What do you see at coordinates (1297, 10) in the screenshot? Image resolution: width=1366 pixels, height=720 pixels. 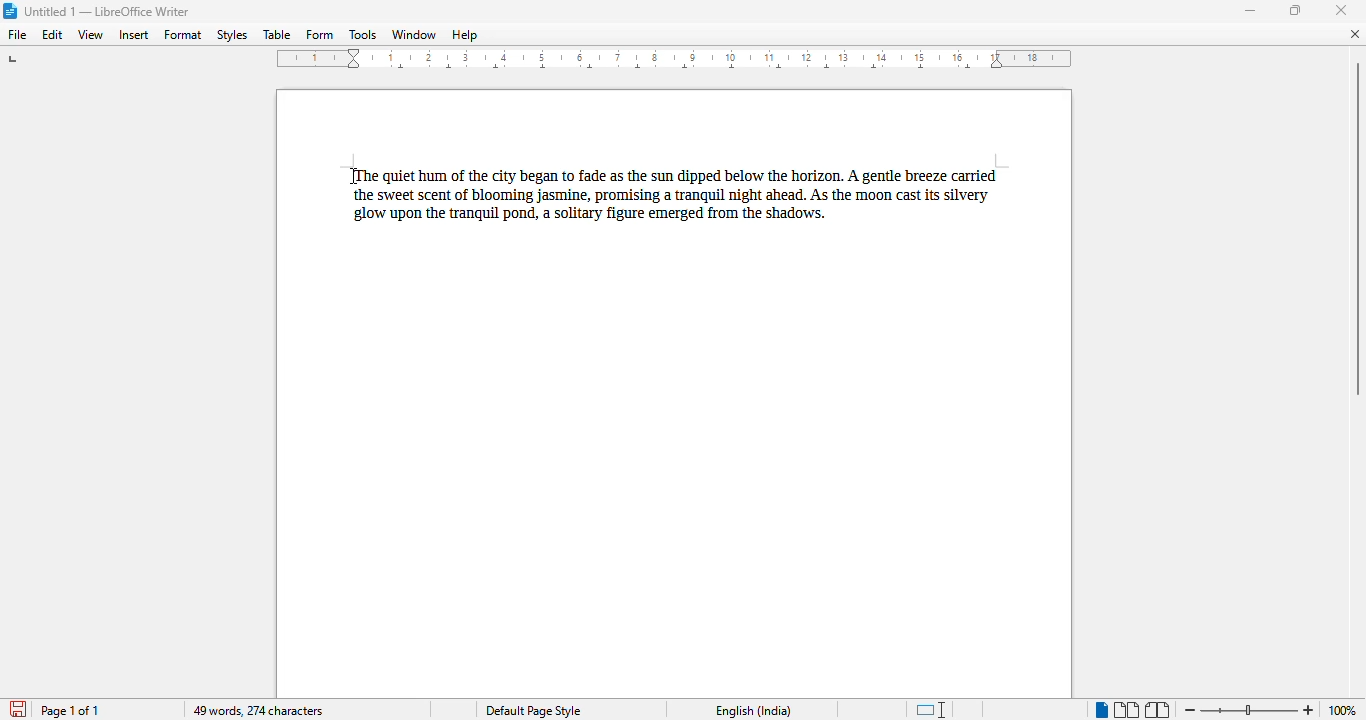 I see `maximize` at bounding box center [1297, 10].